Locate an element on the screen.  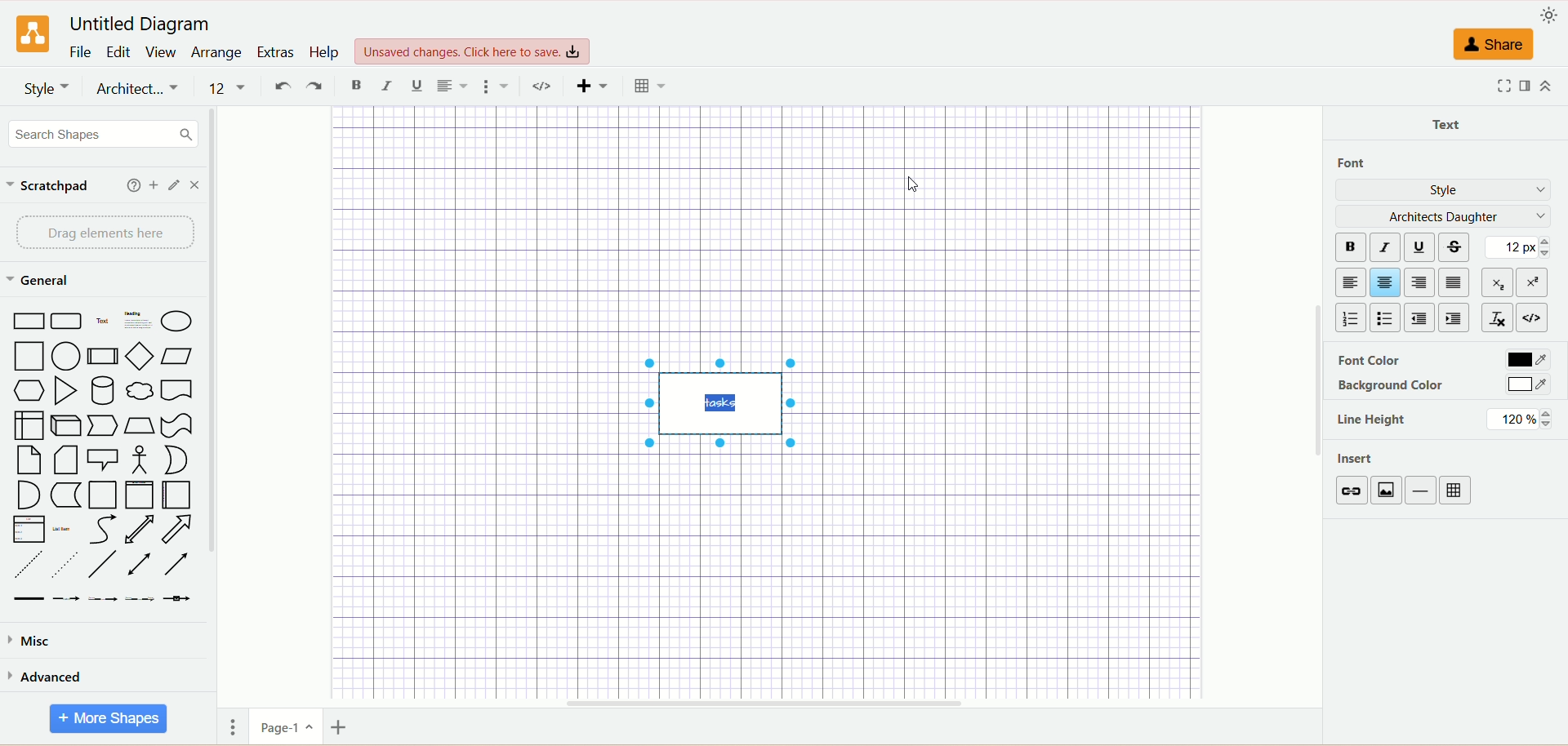
Italic is located at coordinates (387, 87).